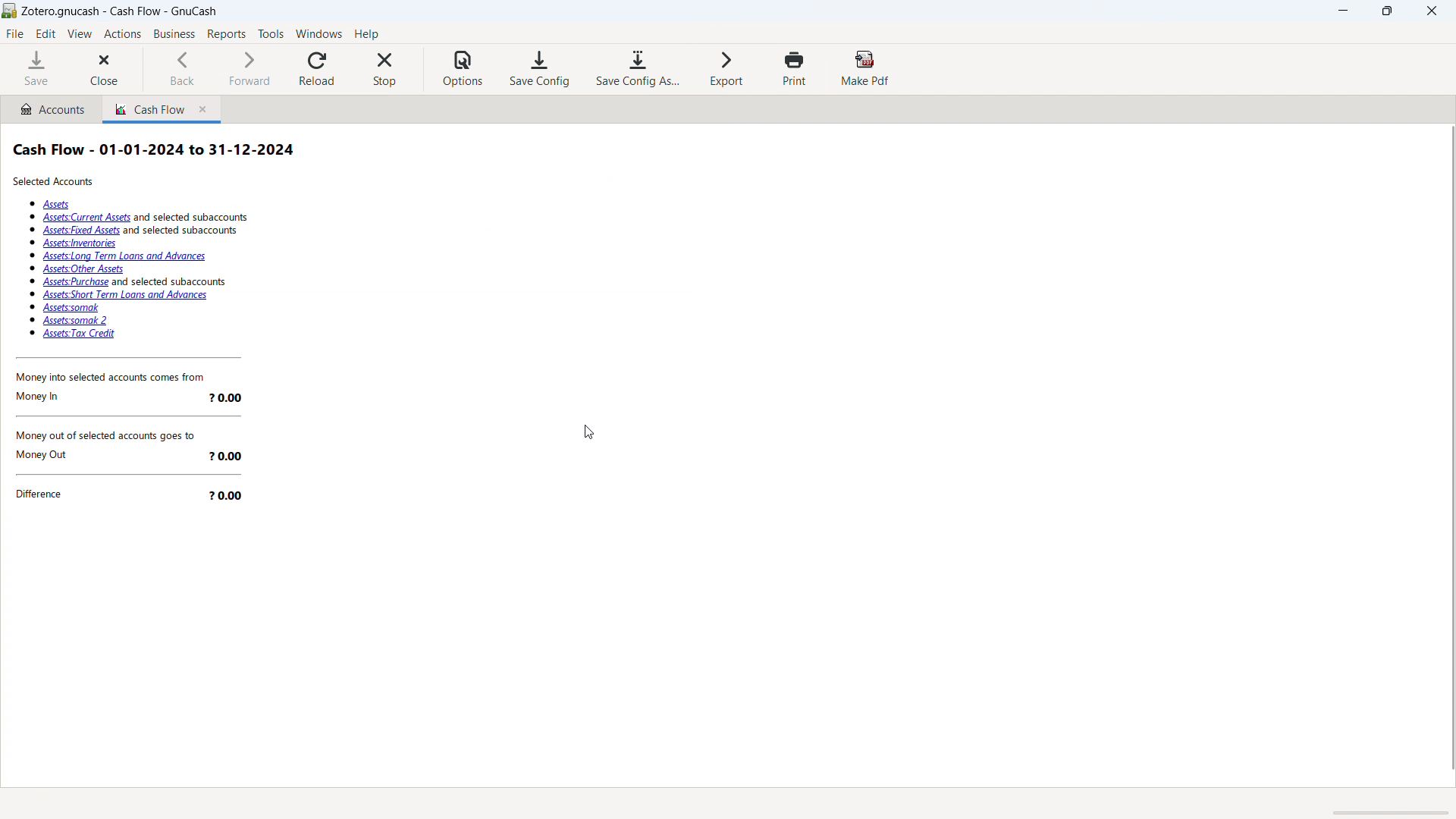  I want to click on Assets: tax credit, so click(78, 334).